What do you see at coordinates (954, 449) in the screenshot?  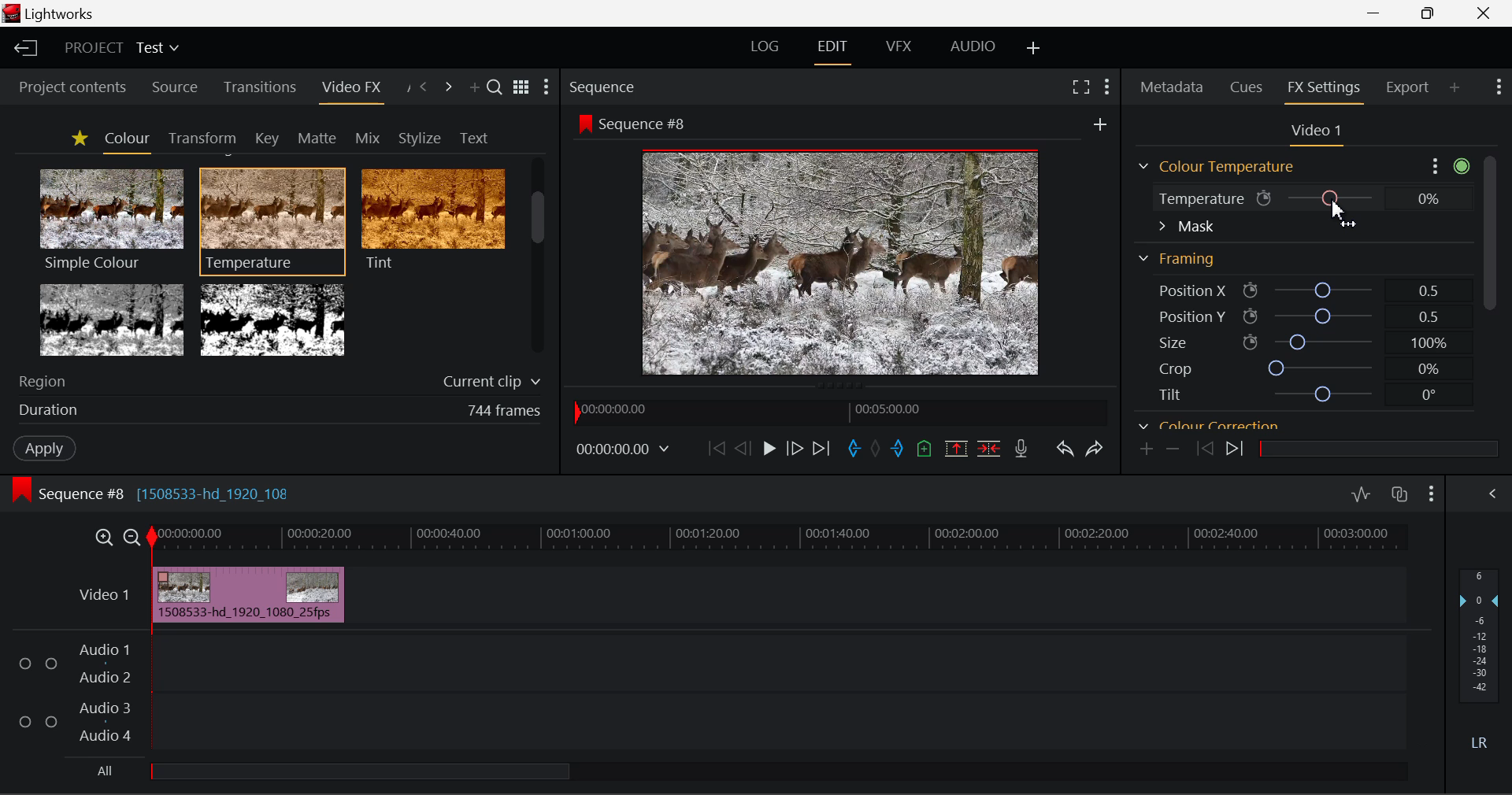 I see `Remove marked section` at bounding box center [954, 449].